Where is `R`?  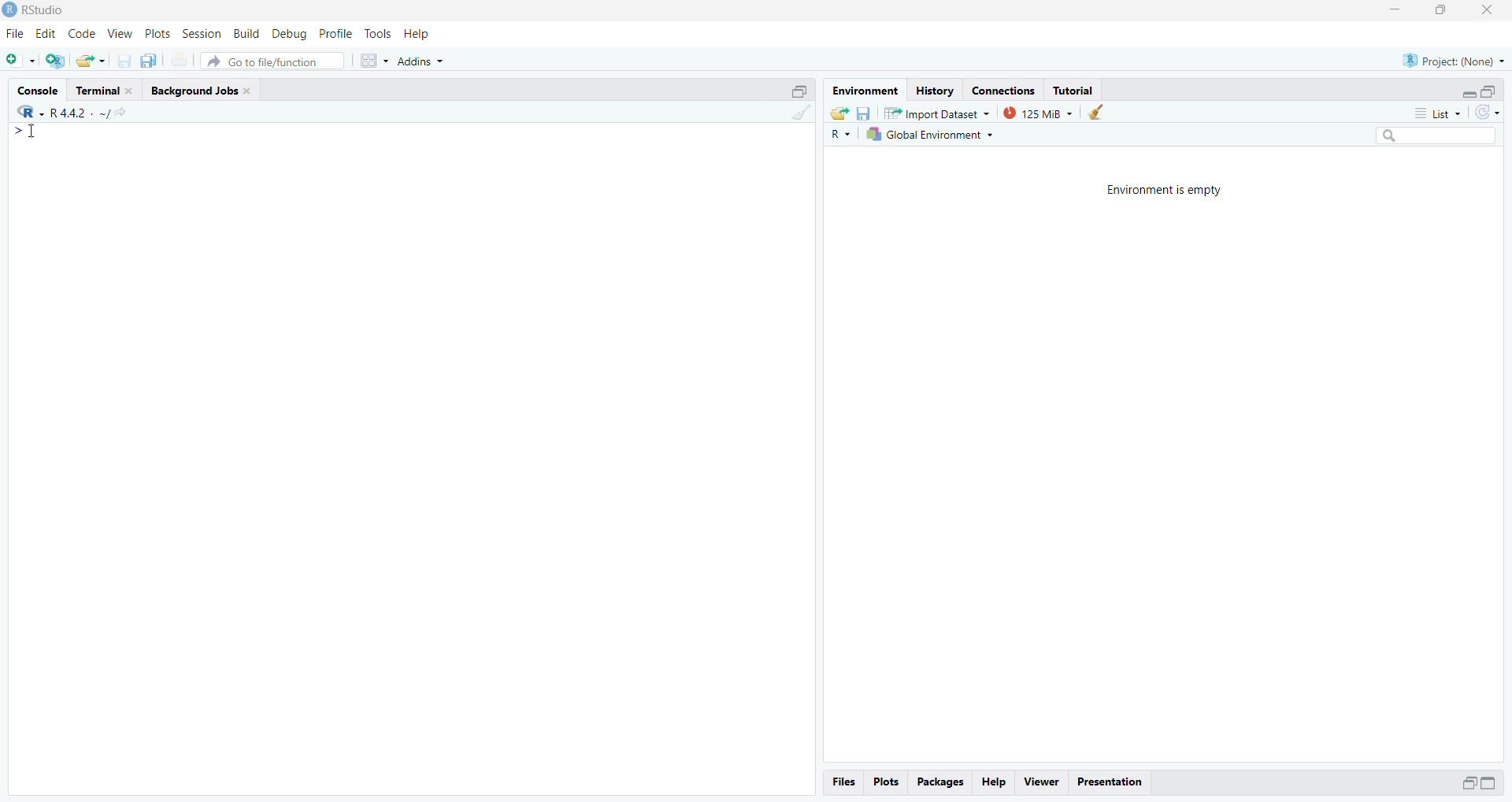
R is located at coordinates (838, 136).